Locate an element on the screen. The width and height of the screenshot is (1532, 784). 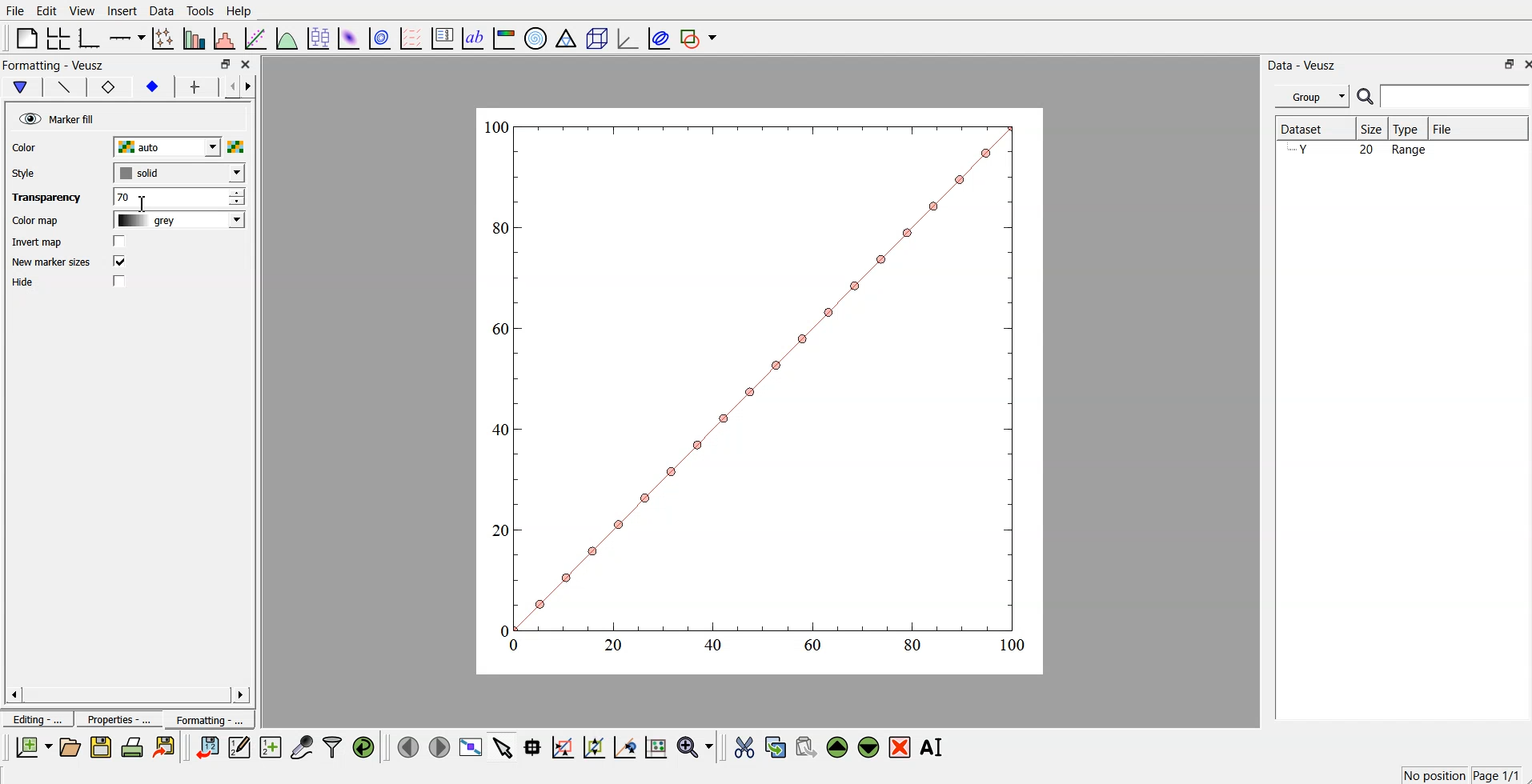
3D graph is located at coordinates (626, 38).